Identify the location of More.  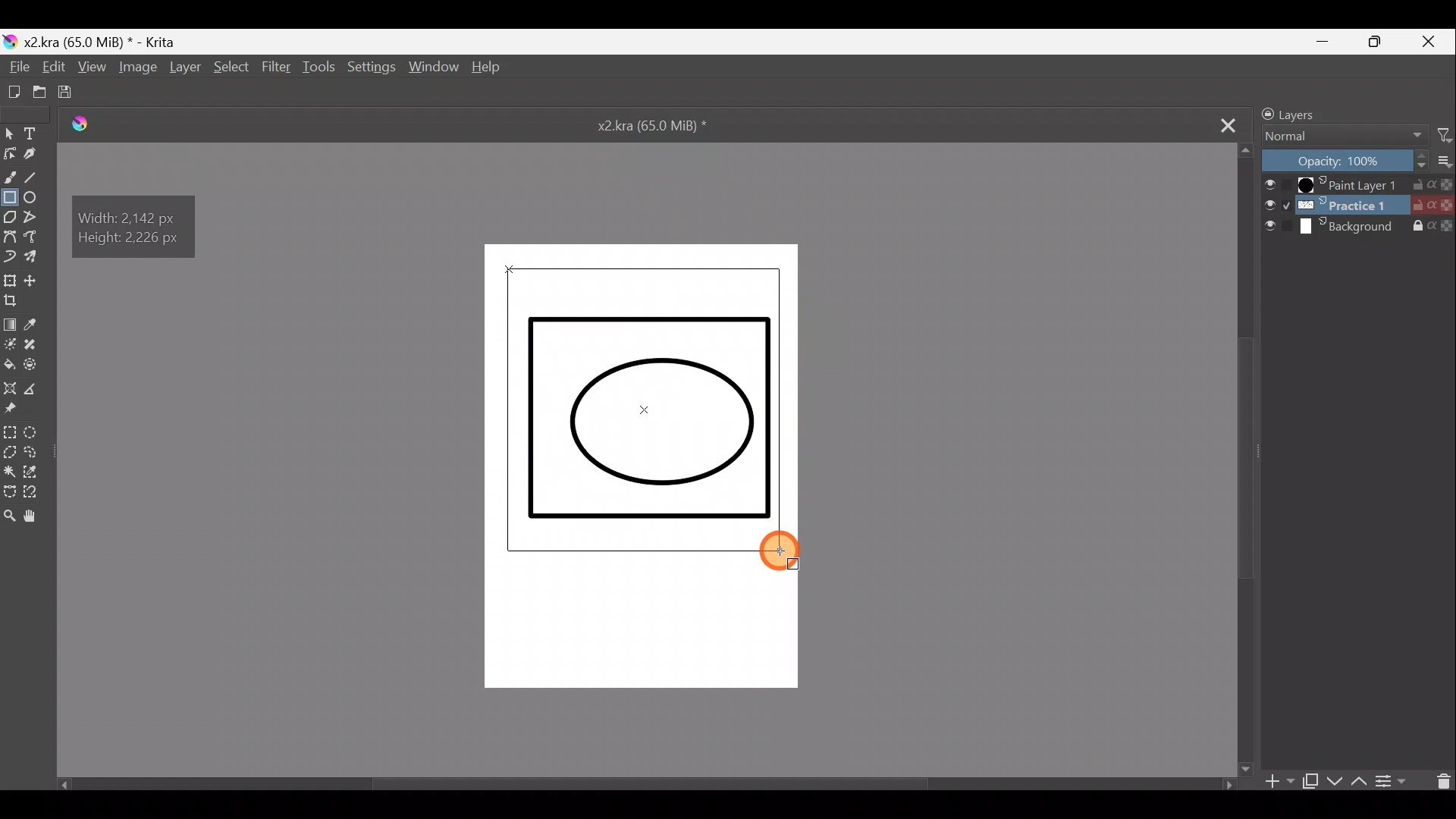
(1445, 158).